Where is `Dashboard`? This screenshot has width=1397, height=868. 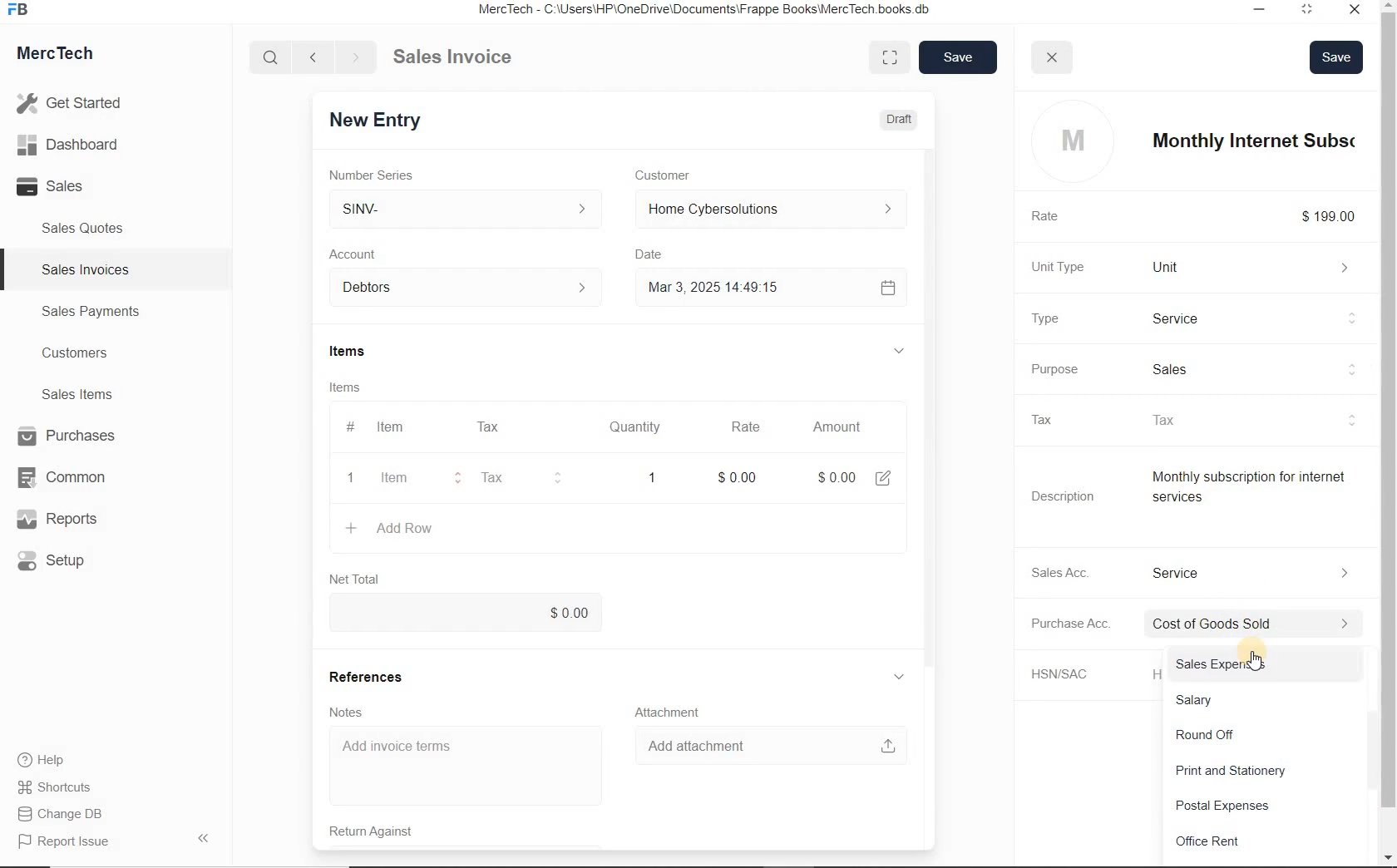 Dashboard is located at coordinates (76, 145).